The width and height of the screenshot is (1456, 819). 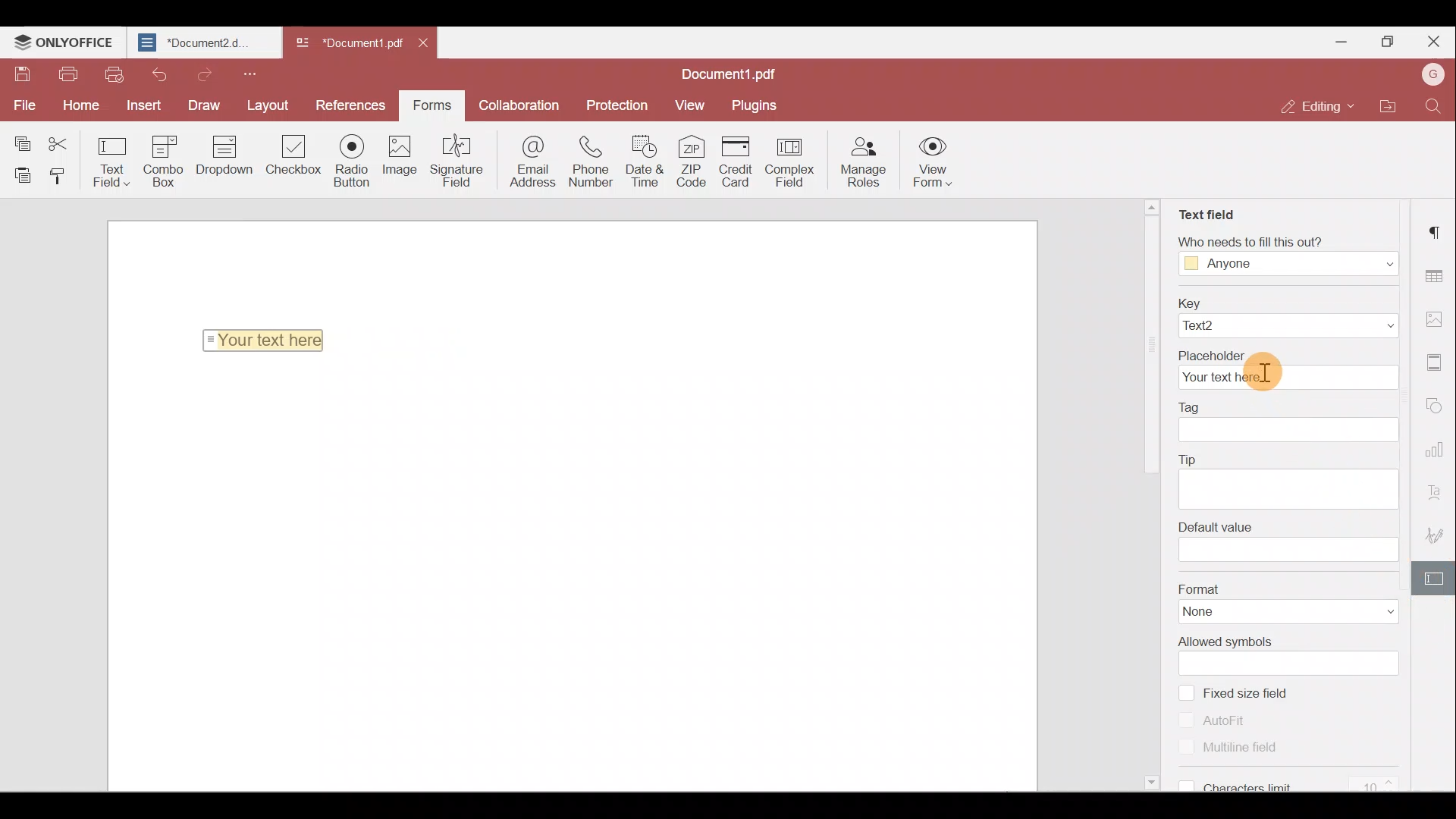 I want to click on Header & footer settings, so click(x=1437, y=362).